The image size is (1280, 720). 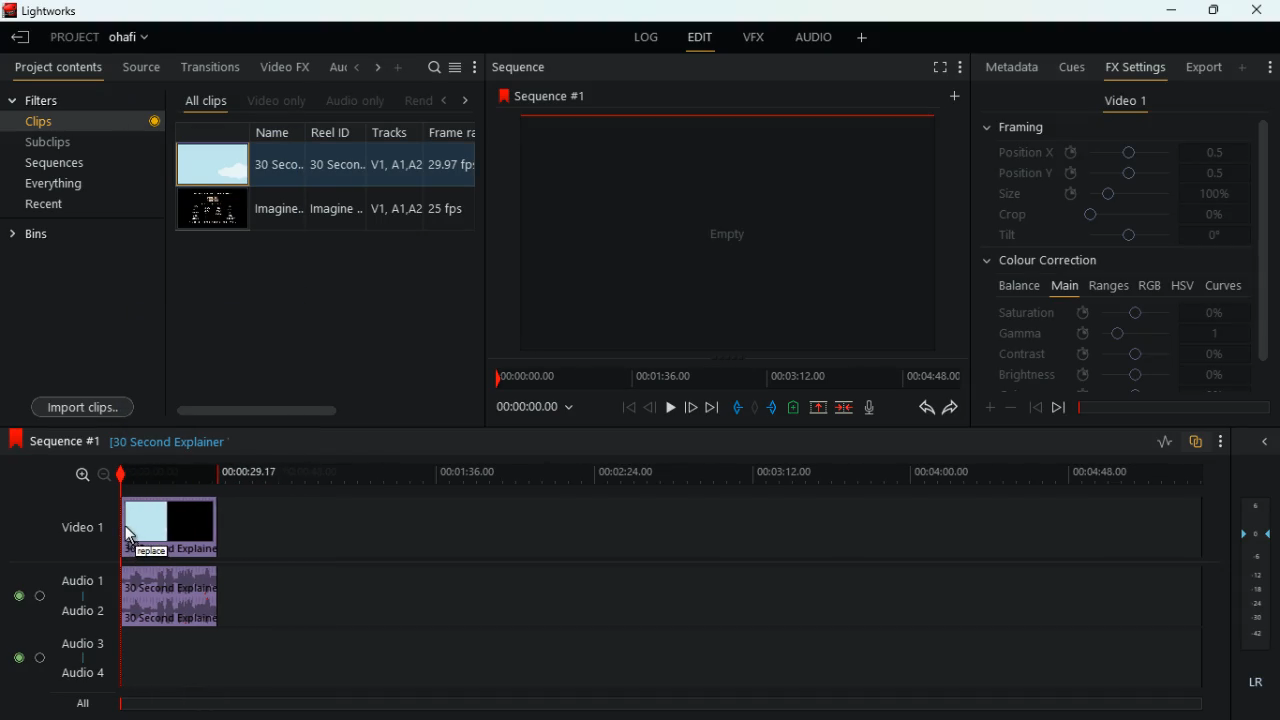 What do you see at coordinates (203, 102) in the screenshot?
I see `all clips` at bounding box center [203, 102].